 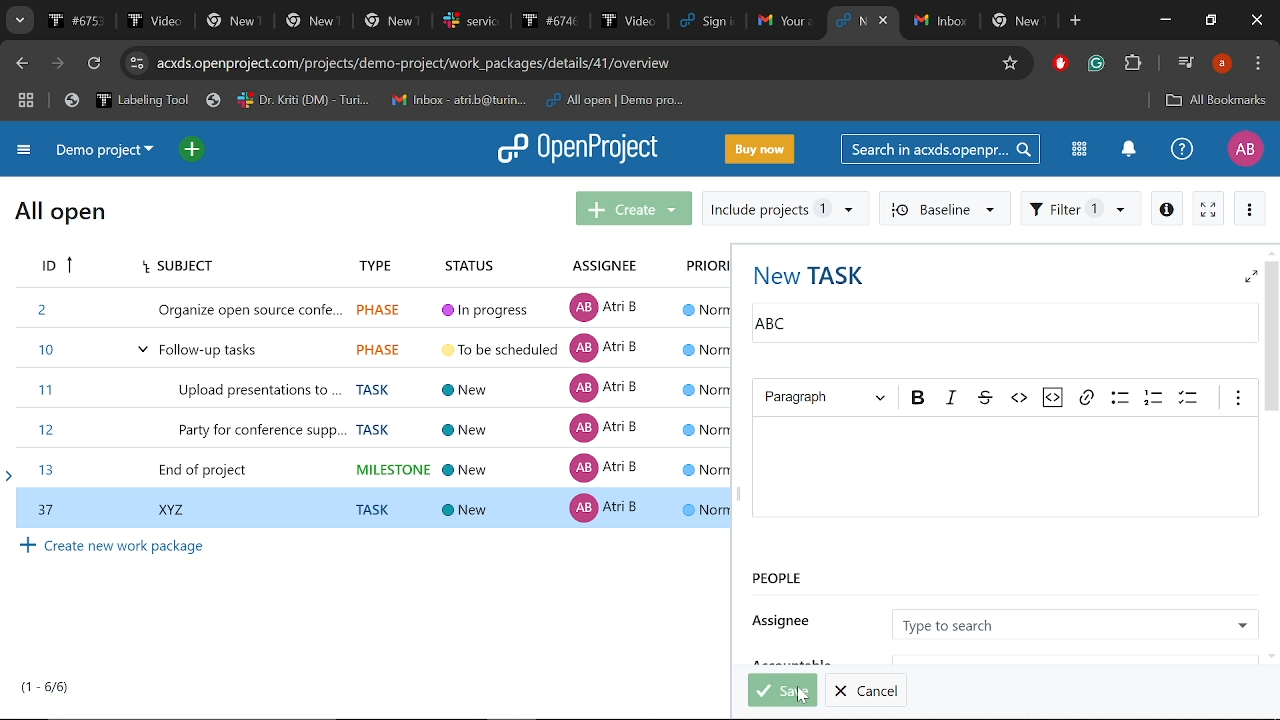 I want to click on Tab group, so click(x=27, y=102).